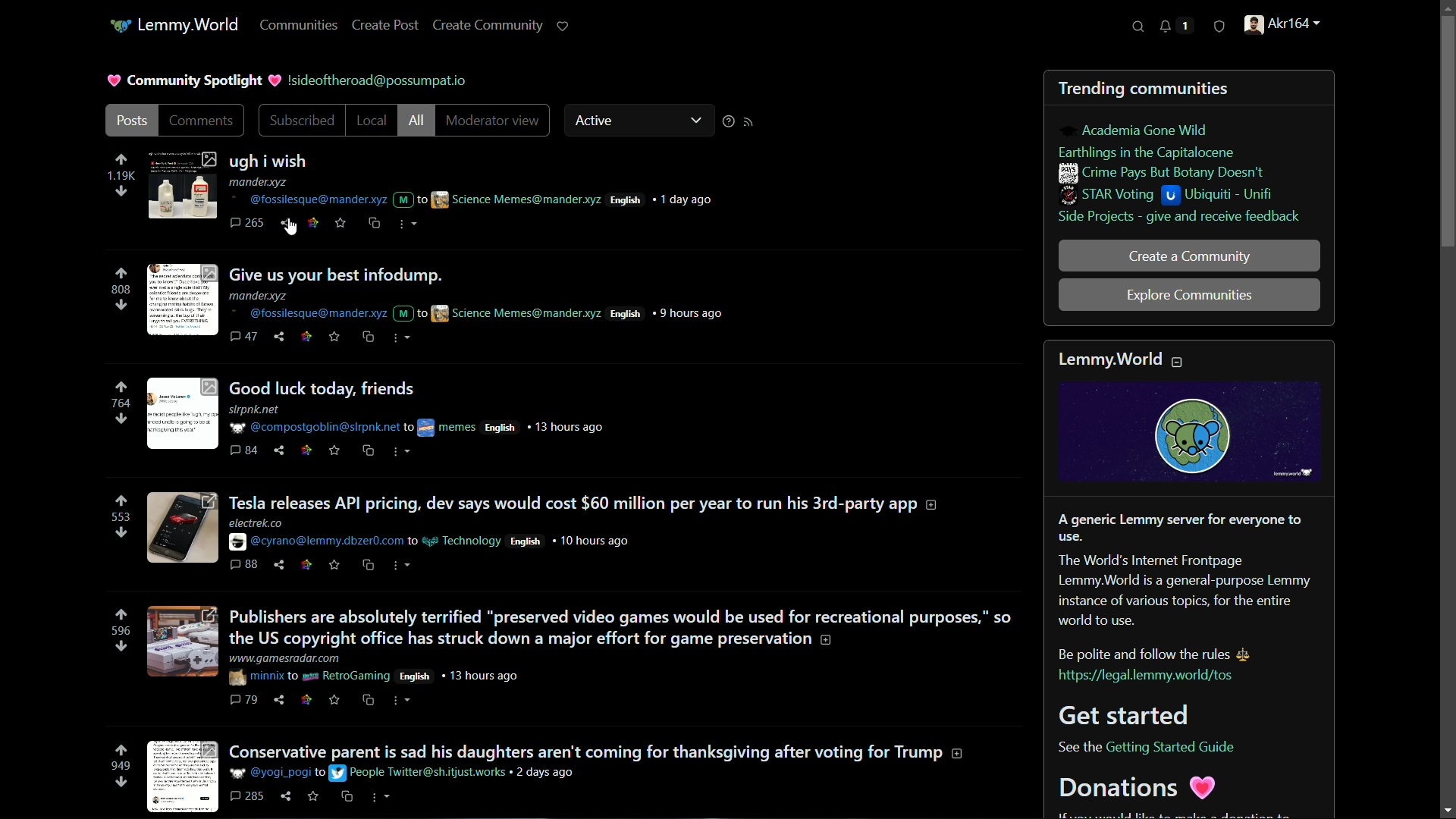 Image resolution: width=1456 pixels, height=819 pixels. Describe the element at coordinates (321, 774) in the screenshot. I see `to` at that location.